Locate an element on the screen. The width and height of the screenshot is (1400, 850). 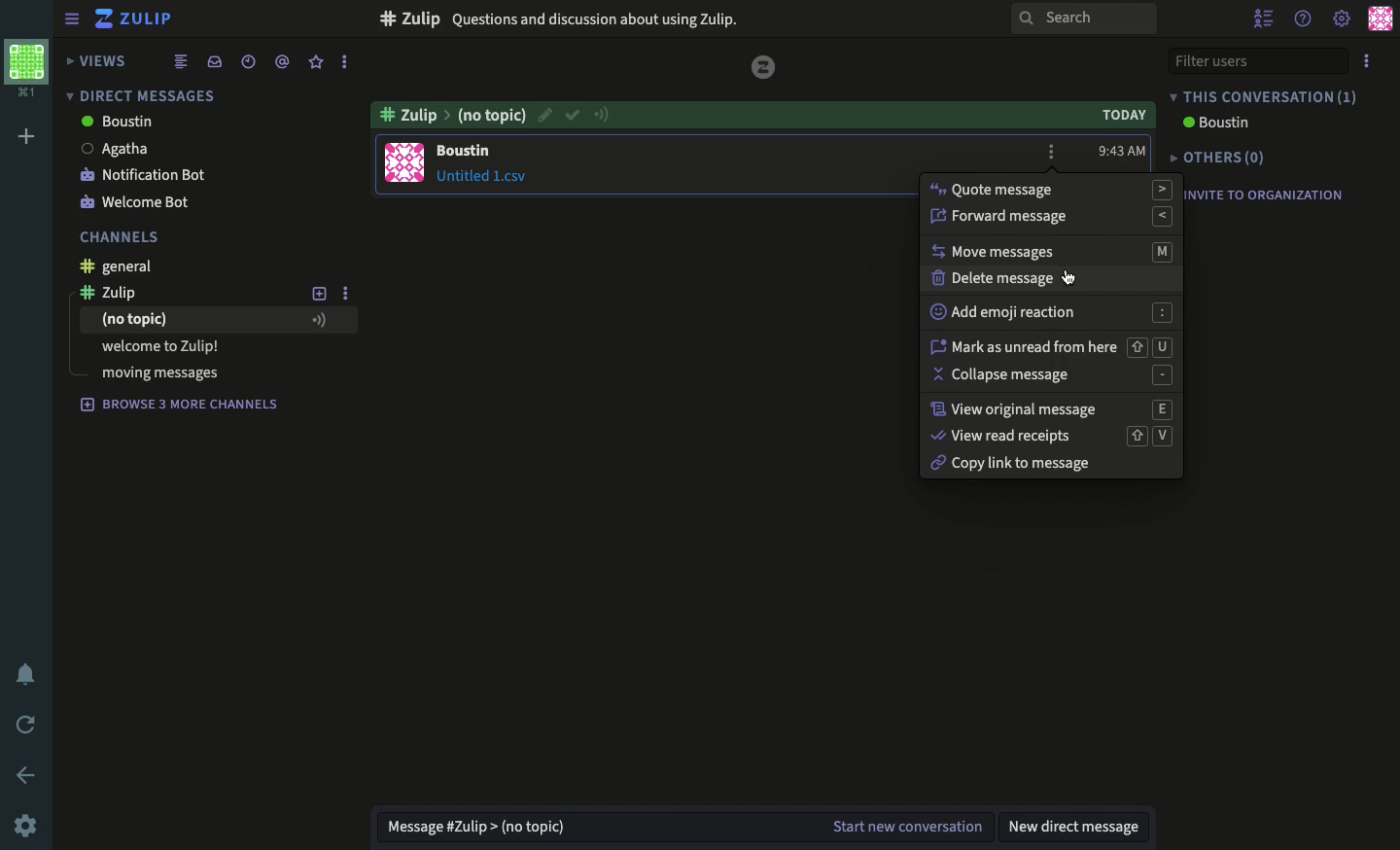
Boustin is located at coordinates (114, 123).